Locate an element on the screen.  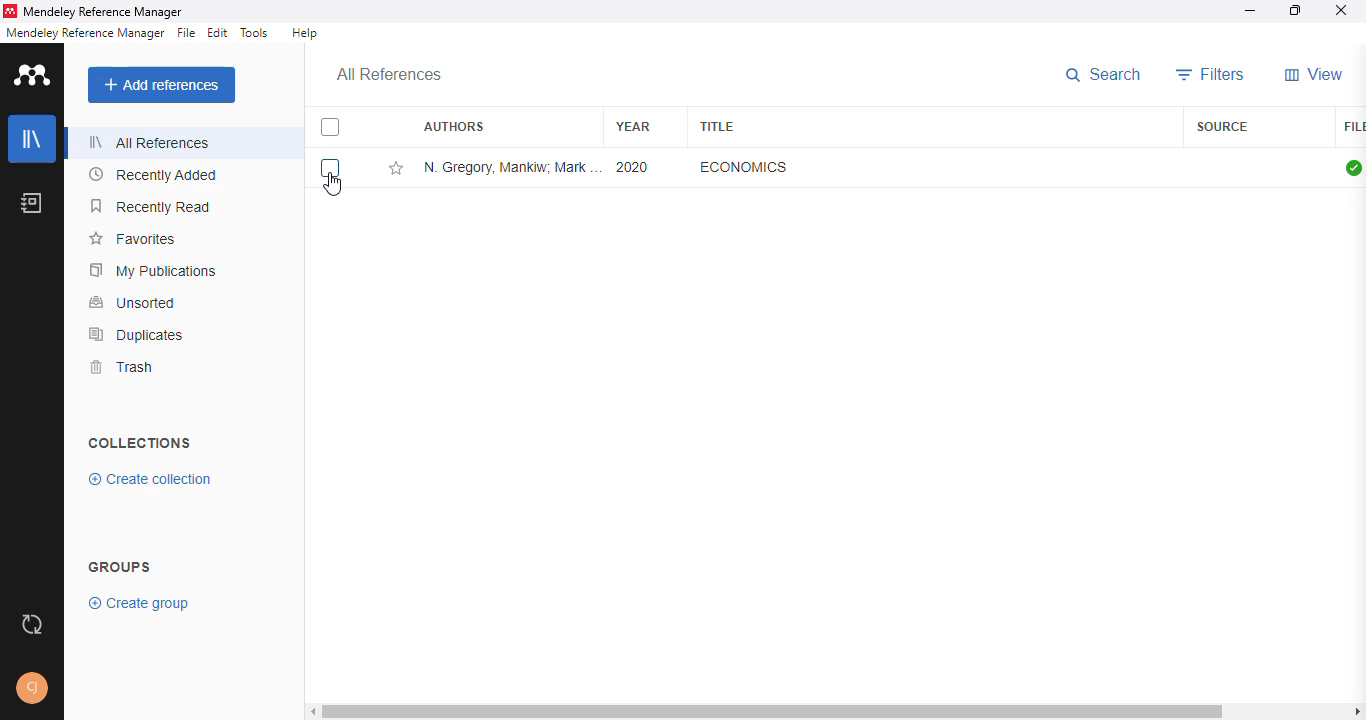
create group is located at coordinates (140, 604).